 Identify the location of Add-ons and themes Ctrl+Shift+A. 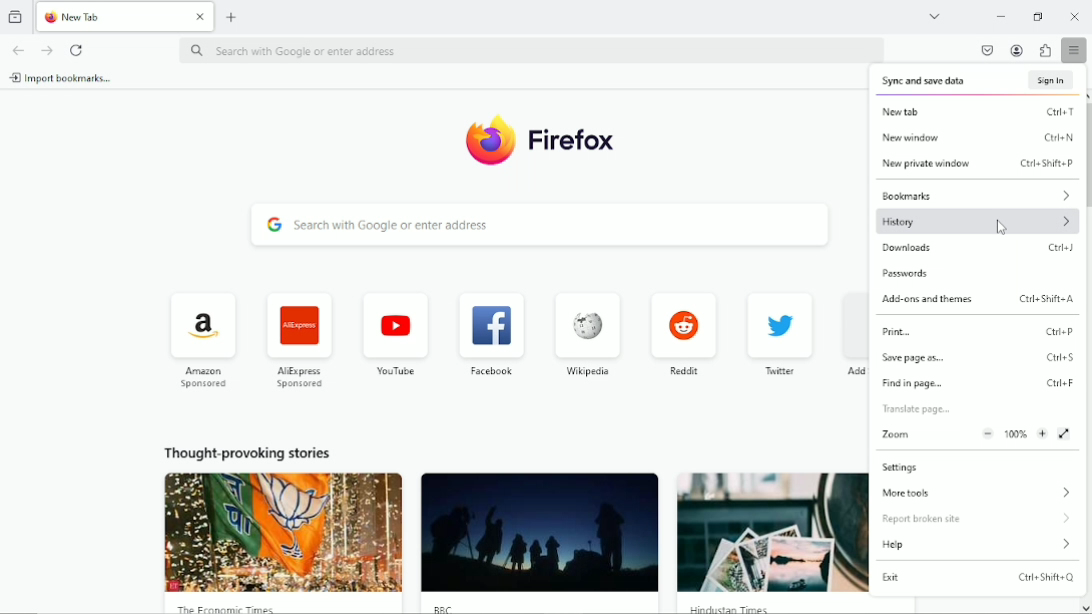
(975, 300).